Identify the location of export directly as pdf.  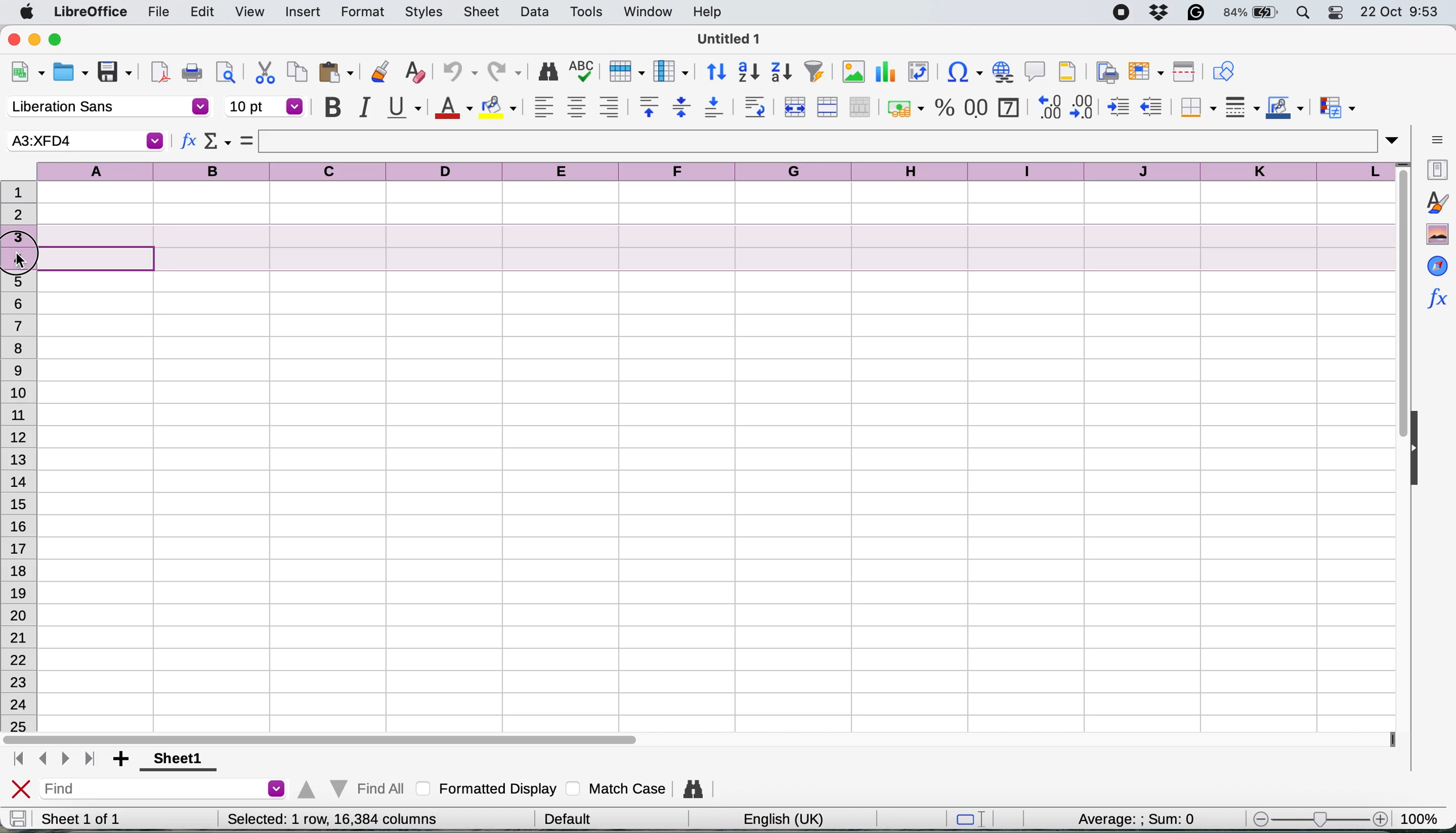
(161, 72).